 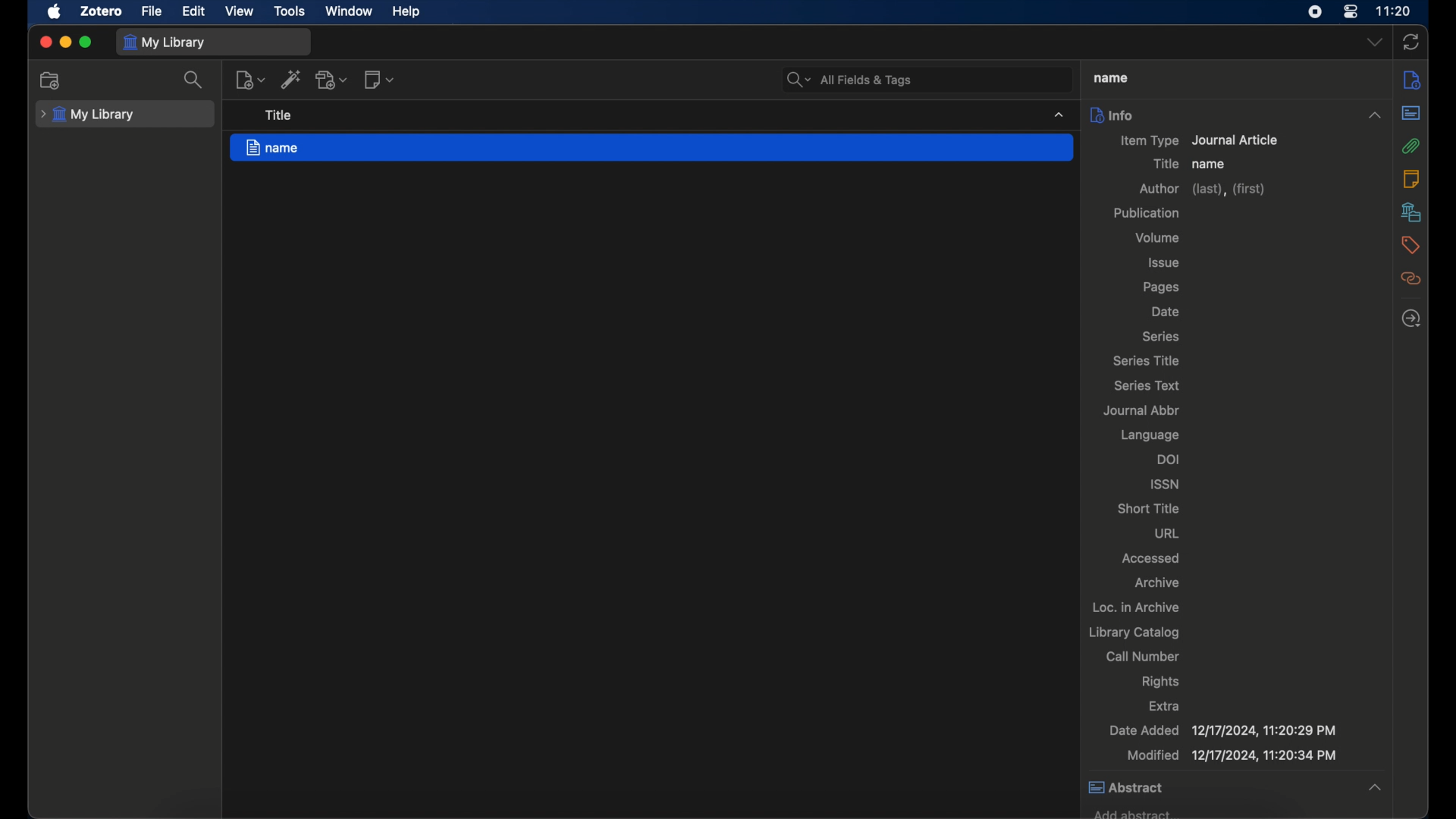 I want to click on language, so click(x=1150, y=435).